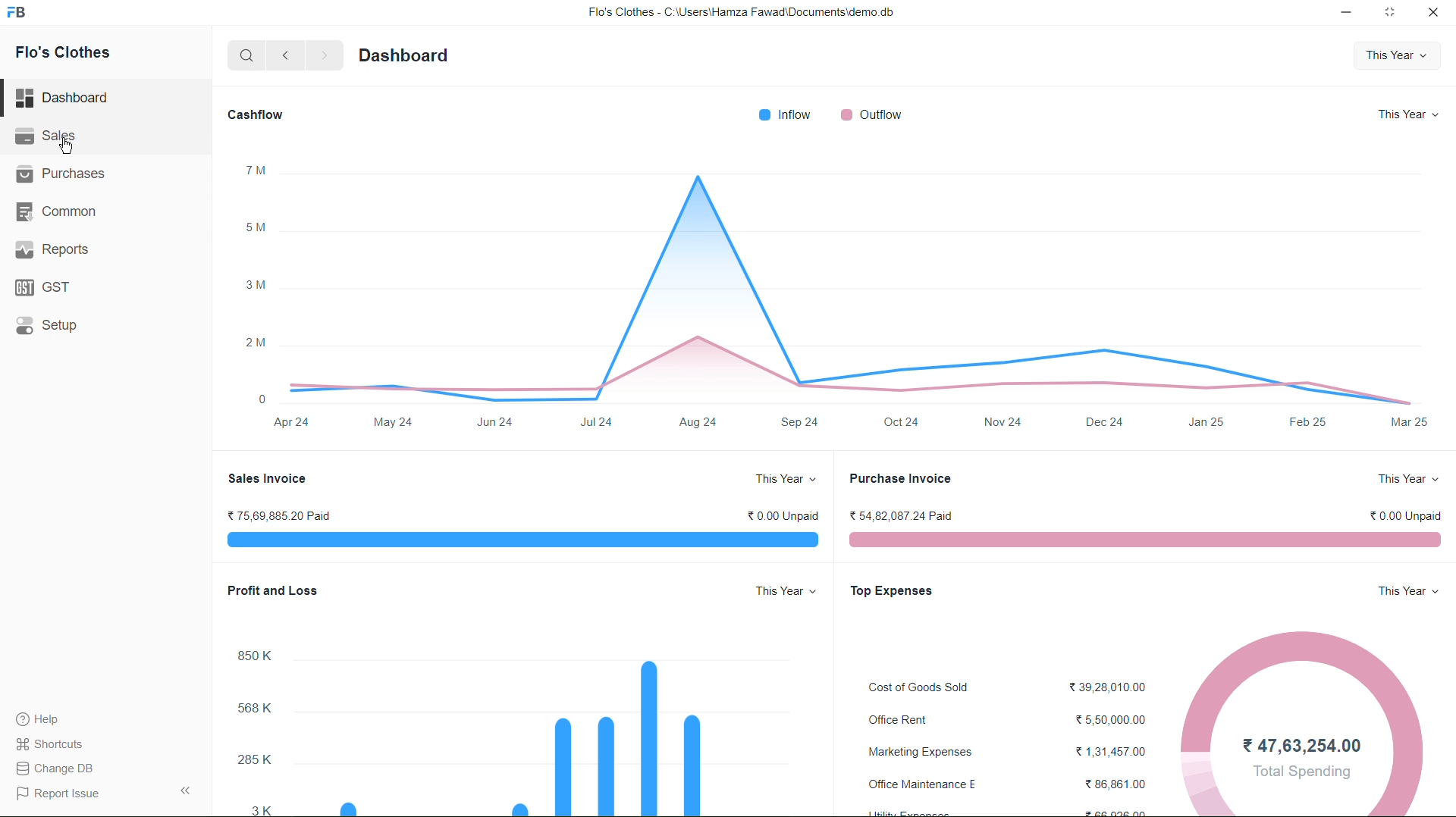  What do you see at coordinates (59, 55) in the screenshot?
I see `Flo's Clothes` at bounding box center [59, 55].